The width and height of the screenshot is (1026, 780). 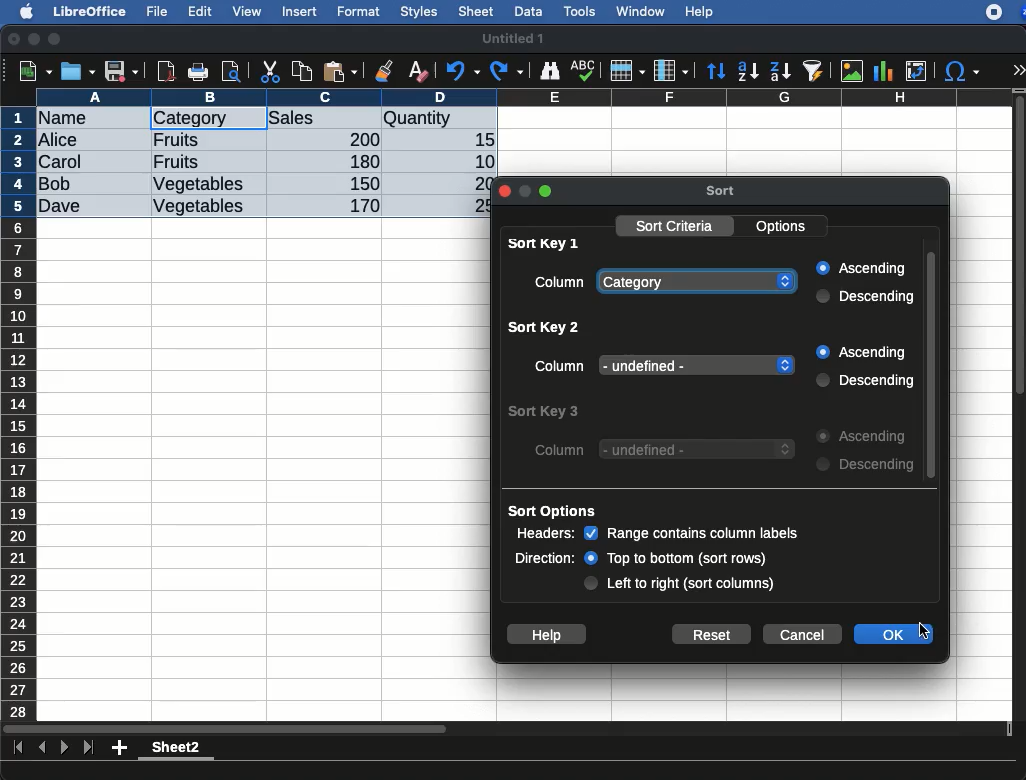 I want to click on descending, so click(x=862, y=380).